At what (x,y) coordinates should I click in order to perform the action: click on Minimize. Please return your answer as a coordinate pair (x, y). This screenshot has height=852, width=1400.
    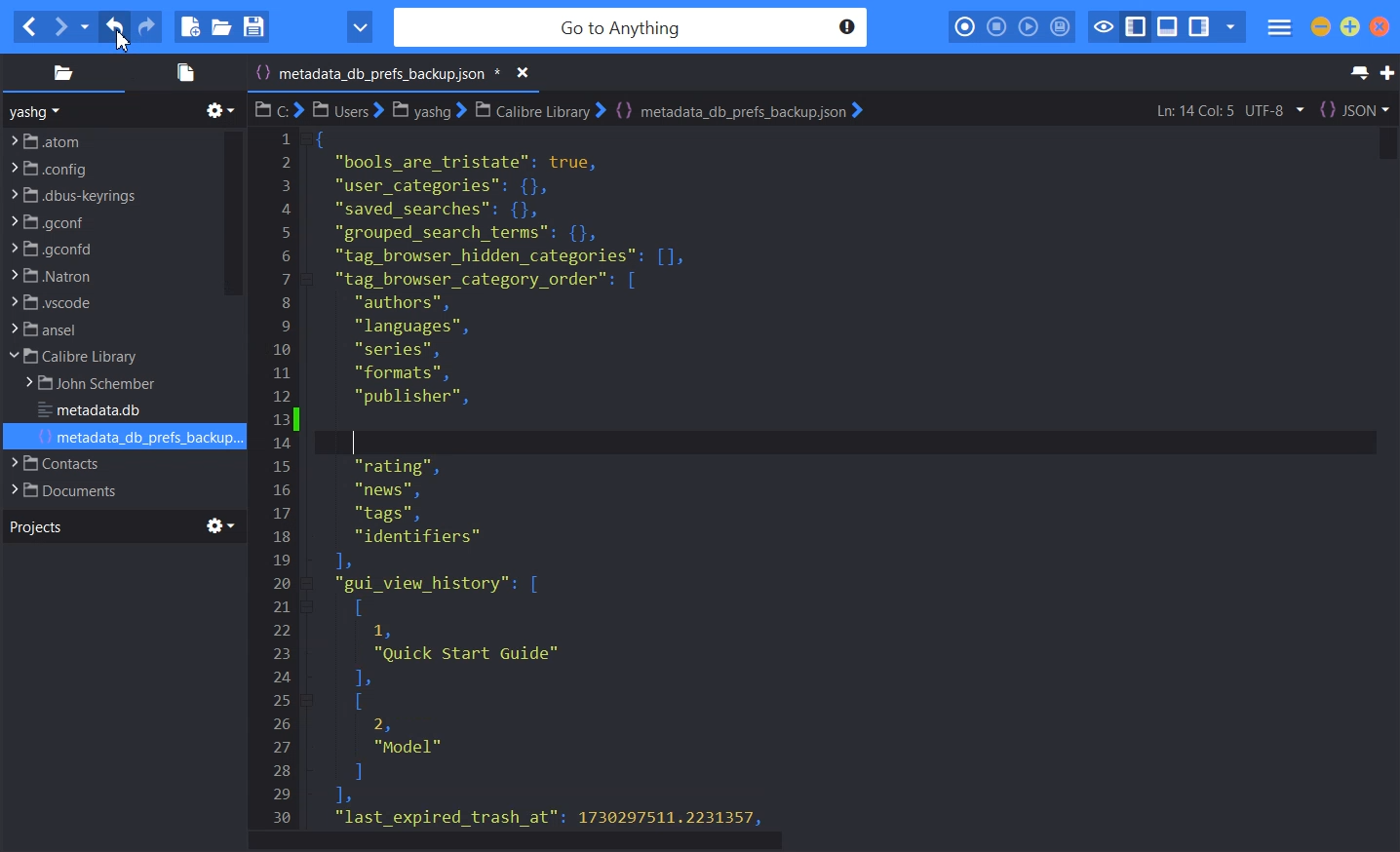
    Looking at the image, I should click on (1321, 26).